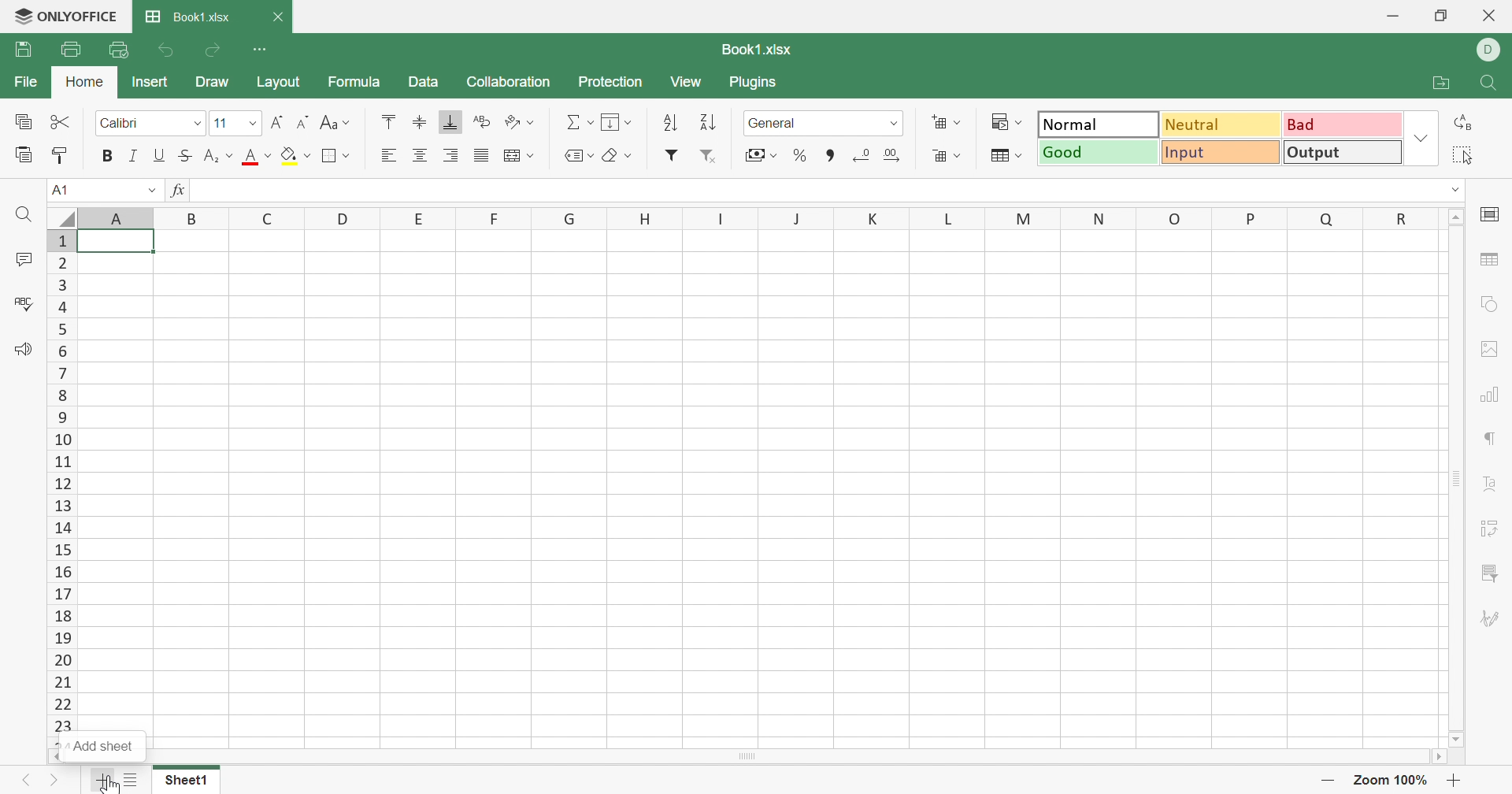 The image size is (1512, 794). Describe the element at coordinates (1098, 220) in the screenshot. I see `N` at that location.